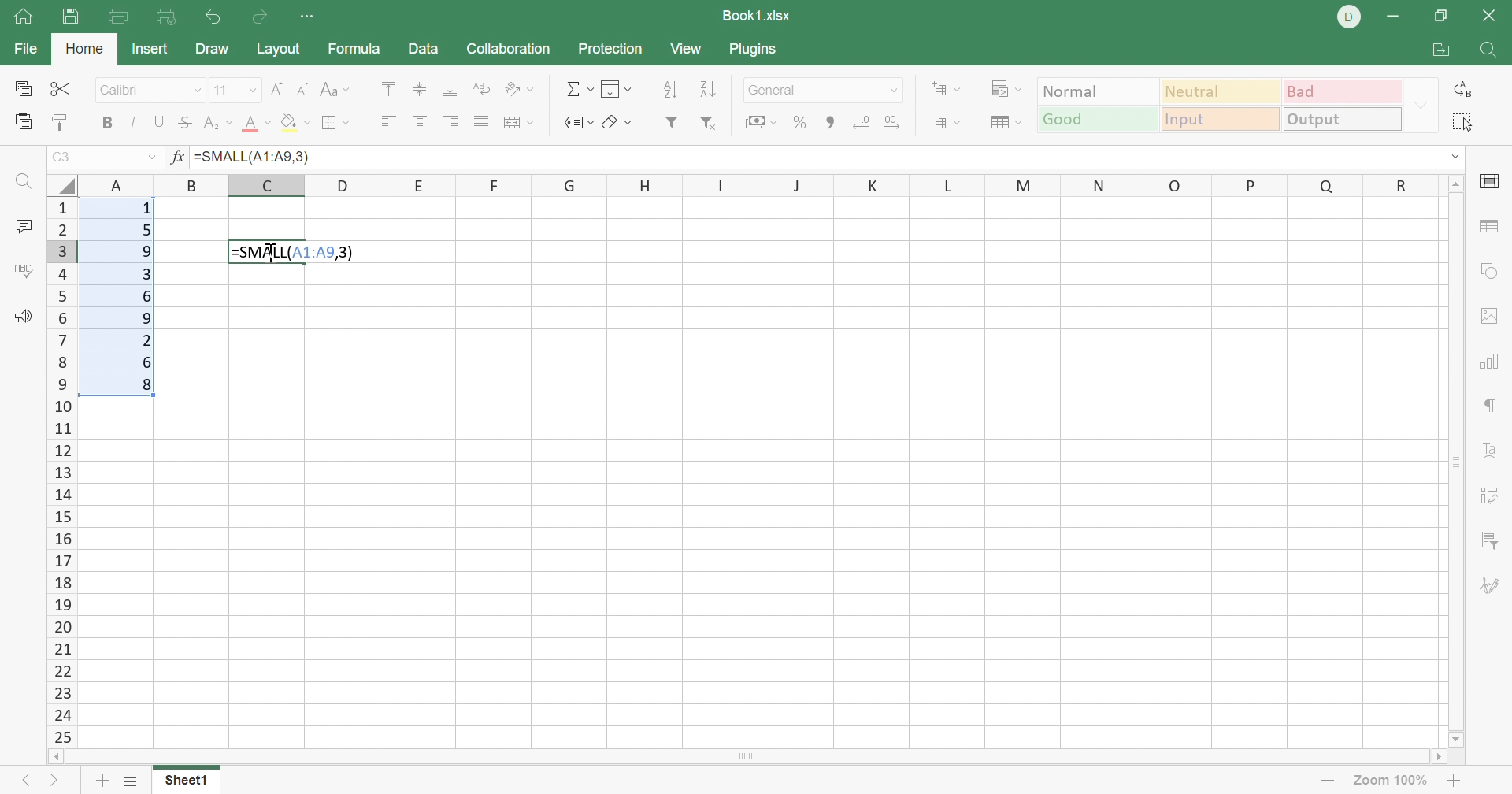  I want to click on Change case, so click(335, 87).